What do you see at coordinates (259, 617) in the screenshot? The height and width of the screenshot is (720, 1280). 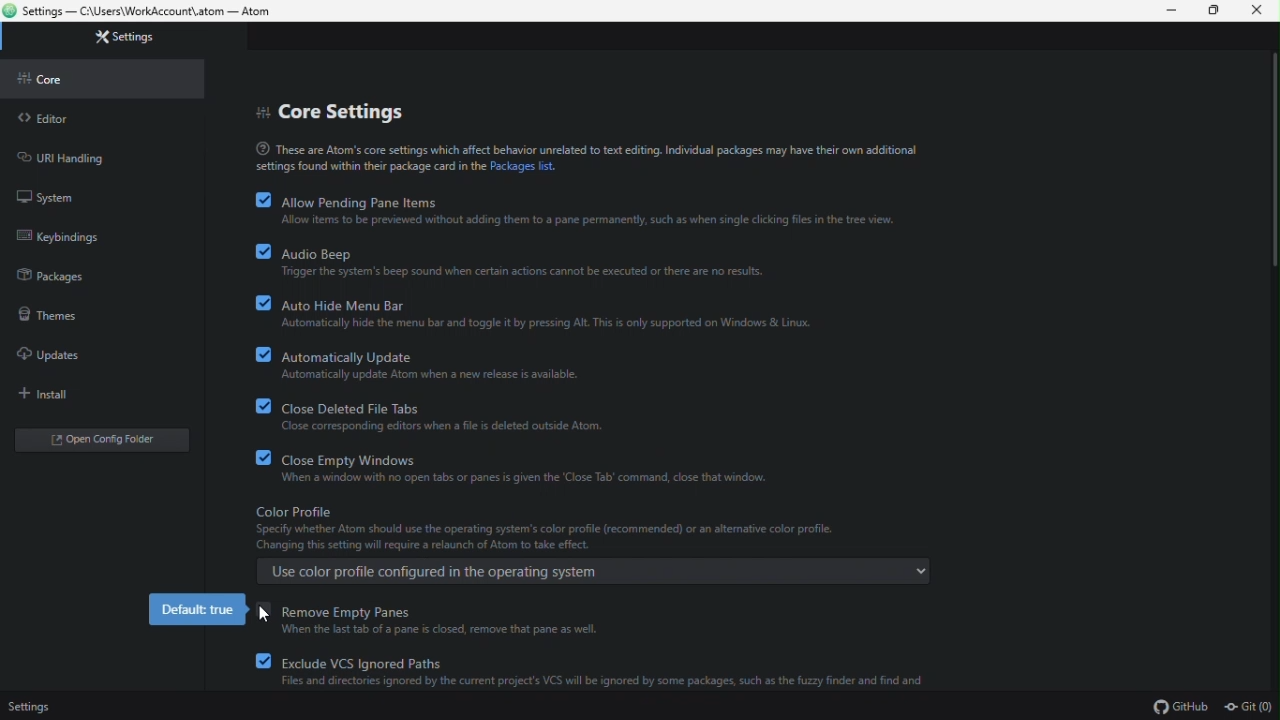 I see `Cursor` at bounding box center [259, 617].